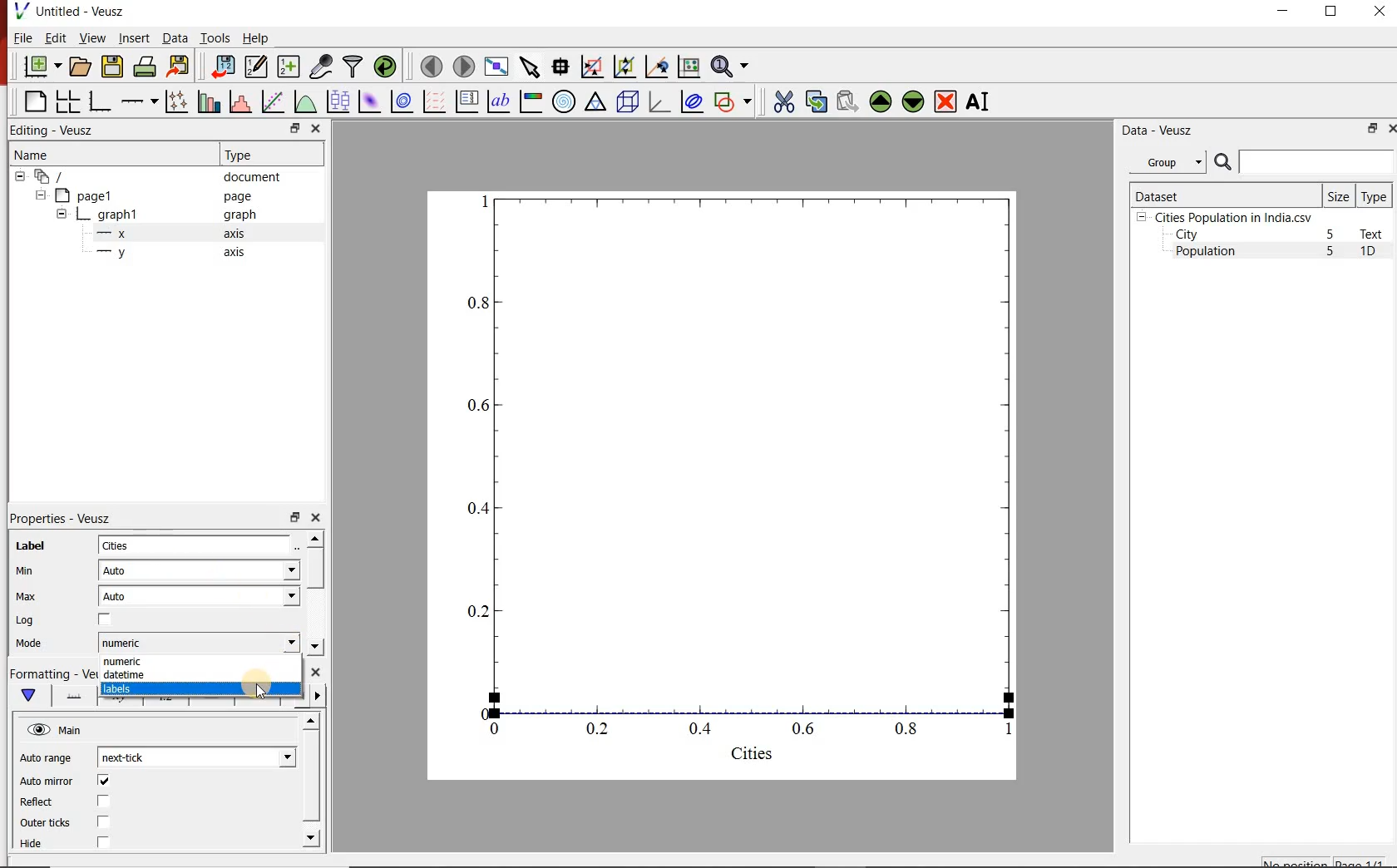 This screenshot has width=1397, height=868. I want to click on graph1, so click(743, 481).